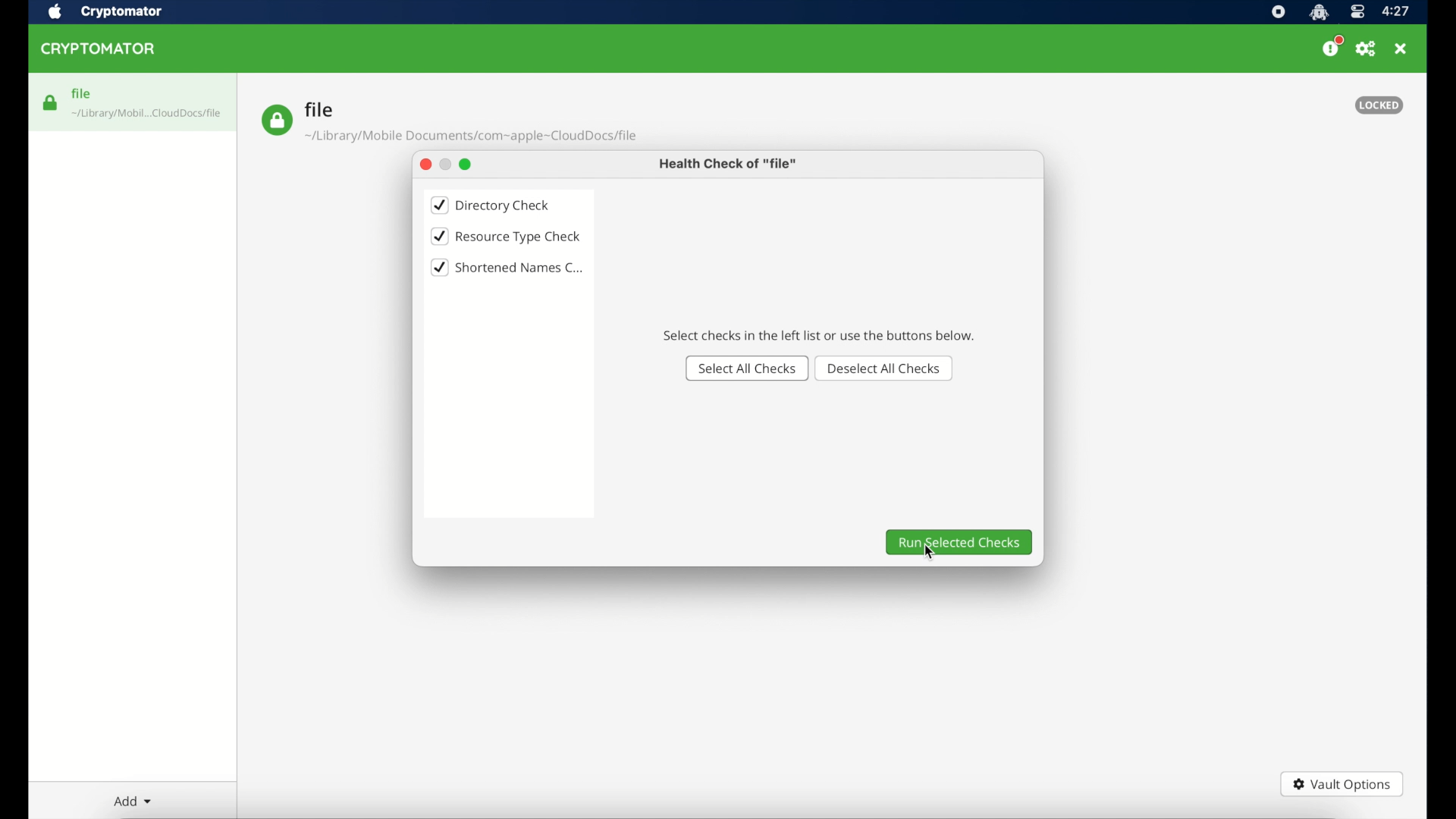  I want to click on select all checks, so click(745, 368).